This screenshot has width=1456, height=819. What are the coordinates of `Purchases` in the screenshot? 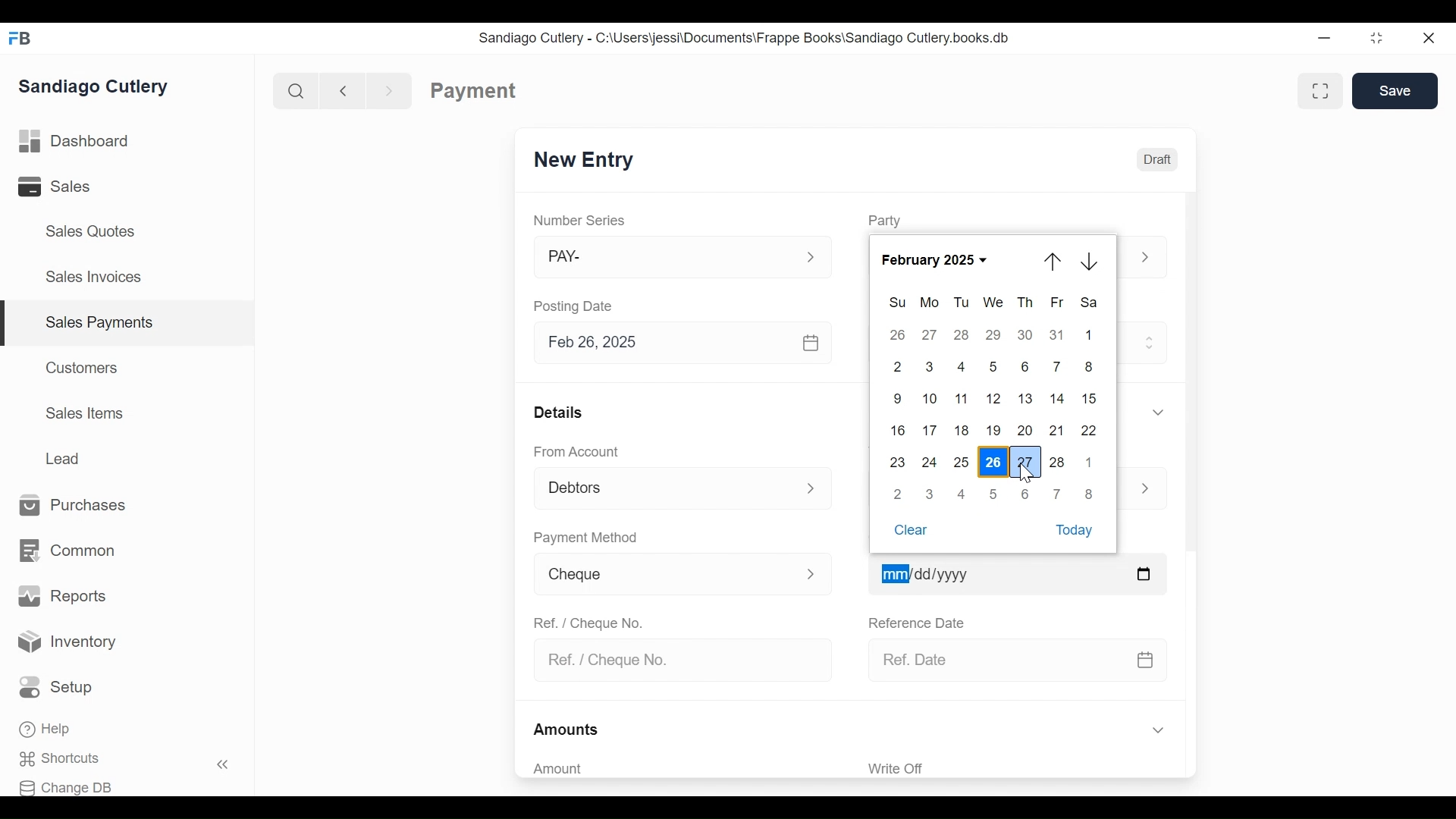 It's located at (74, 506).